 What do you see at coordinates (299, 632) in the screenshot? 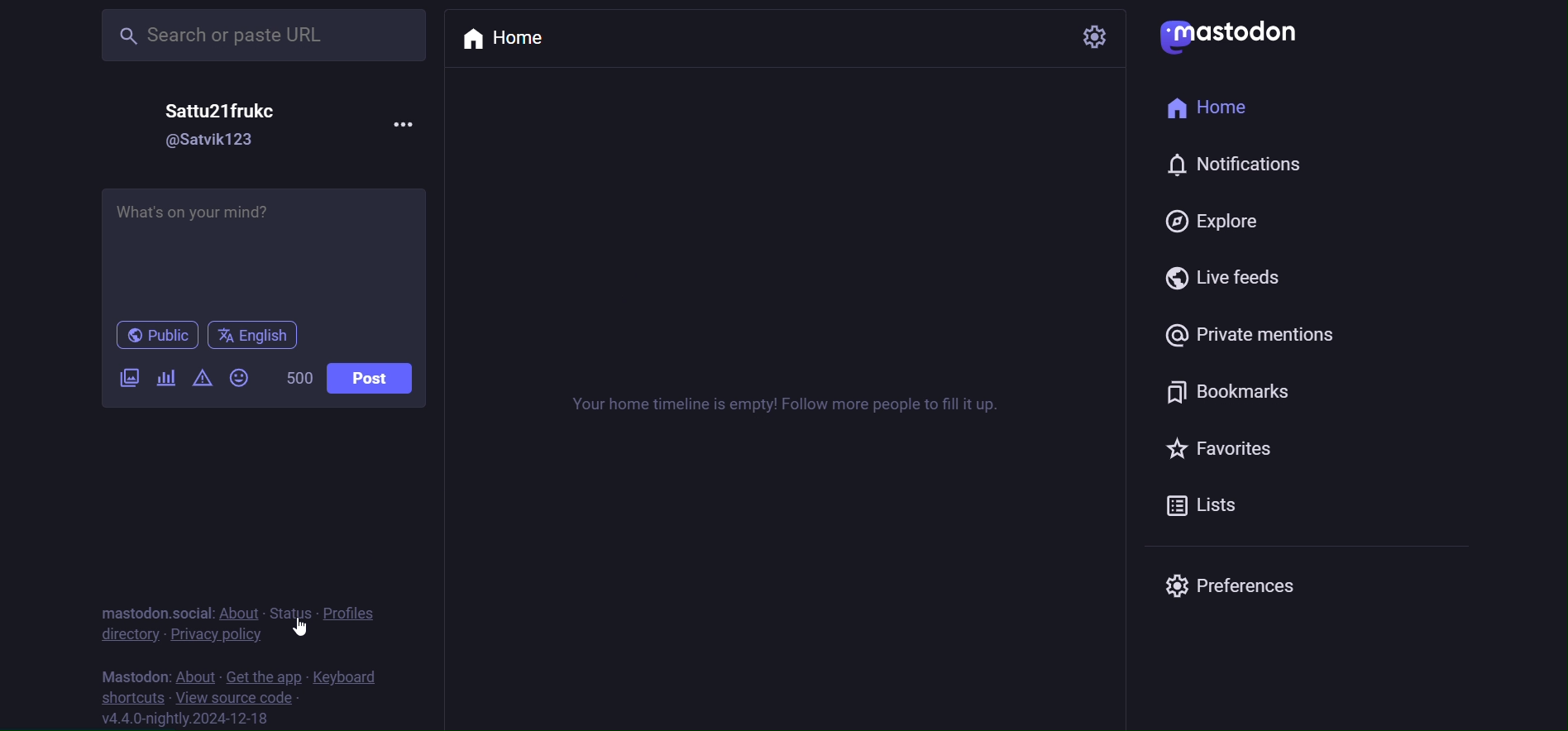
I see `cursor` at bounding box center [299, 632].